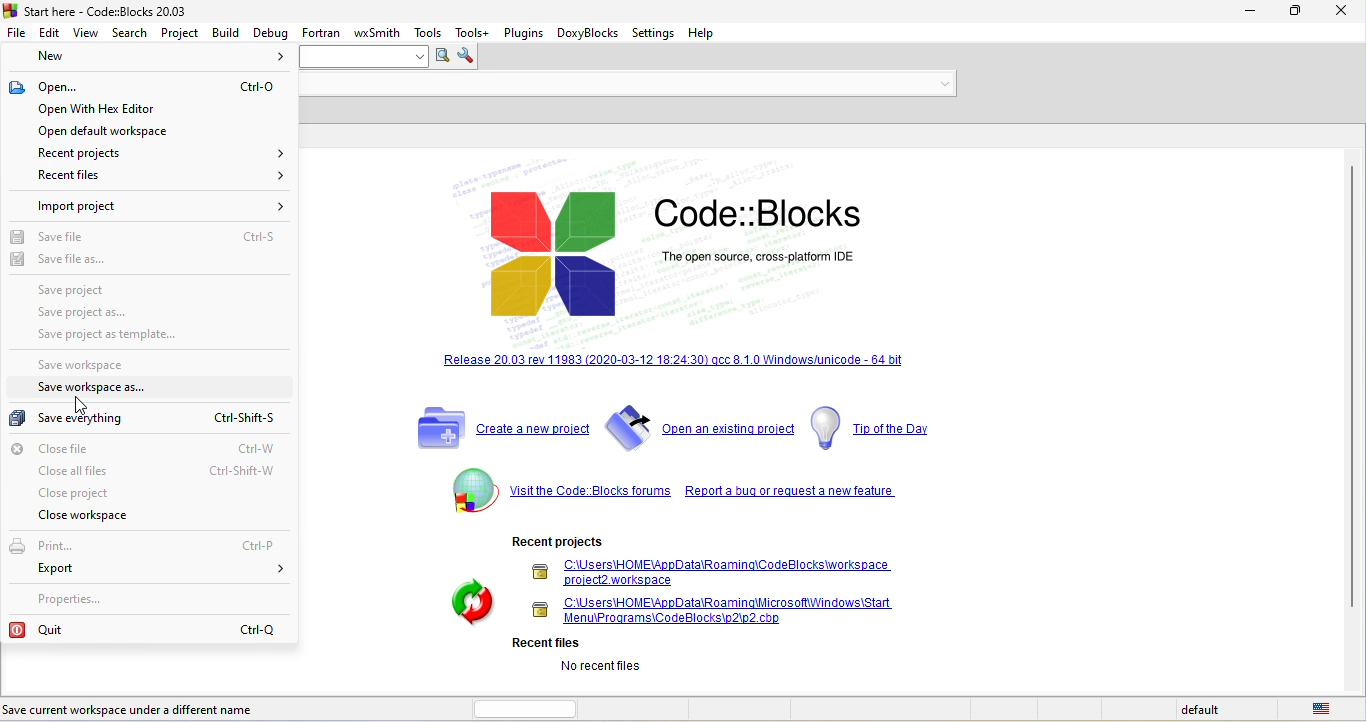 This screenshot has width=1366, height=722. What do you see at coordinates (95, 366) in the screenshot?
I see `save workspace` at bounding box center [95, 366].